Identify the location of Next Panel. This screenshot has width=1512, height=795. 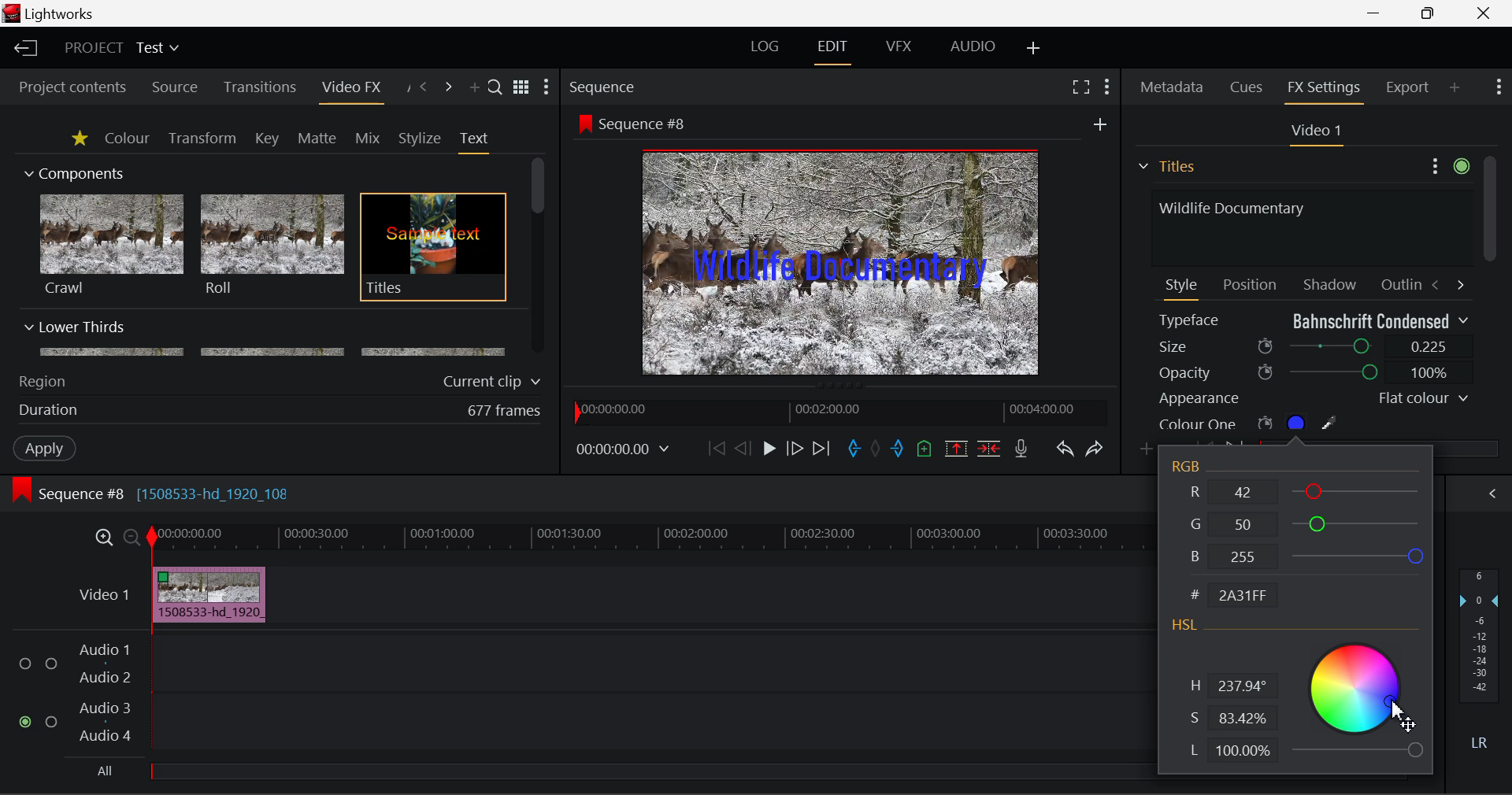
(450, 88).